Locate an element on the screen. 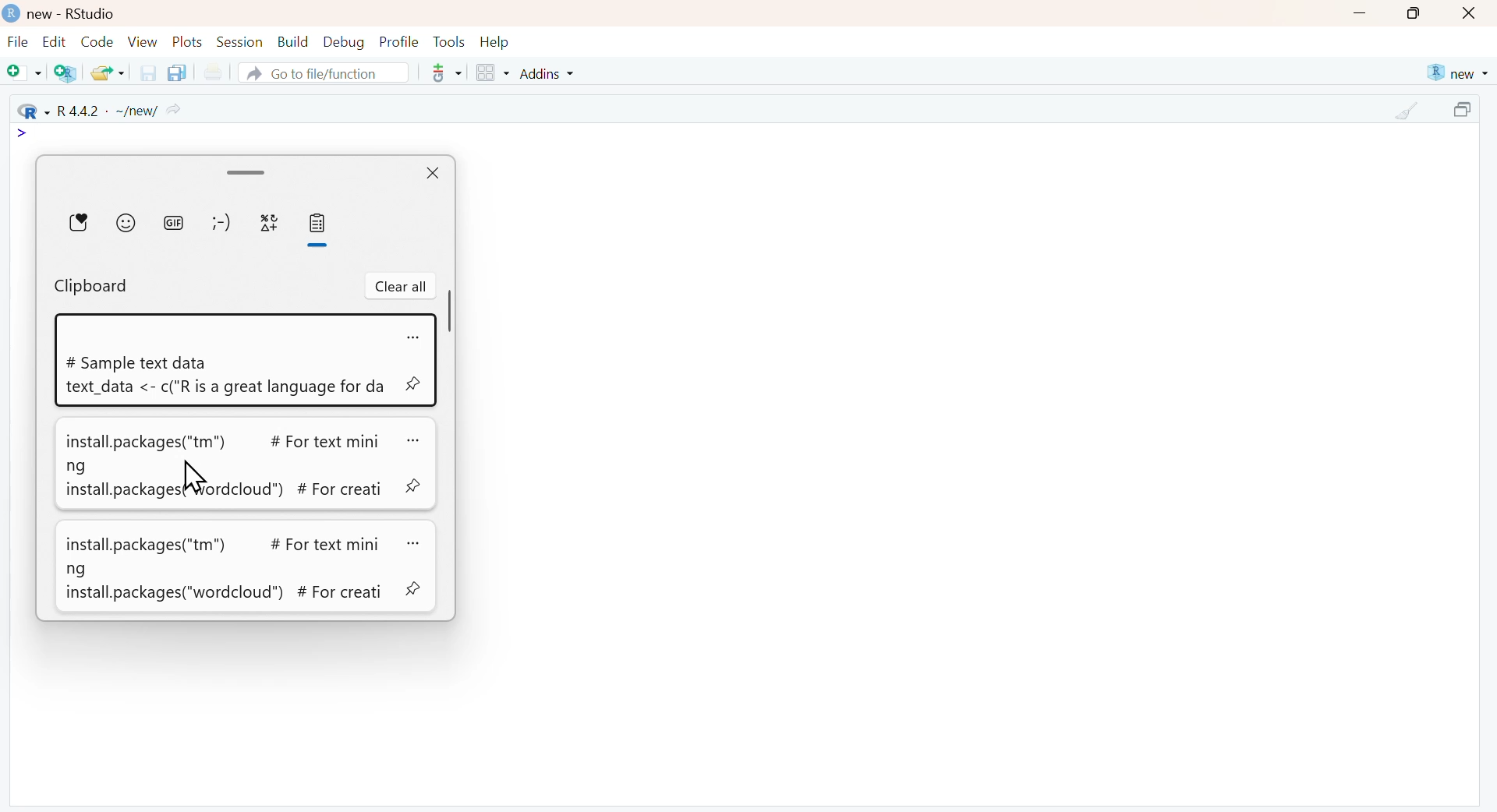 This screenshot has width=1497, height=812. install. packages("Wordcloud") # For creati is located at coordinates (226, 489).